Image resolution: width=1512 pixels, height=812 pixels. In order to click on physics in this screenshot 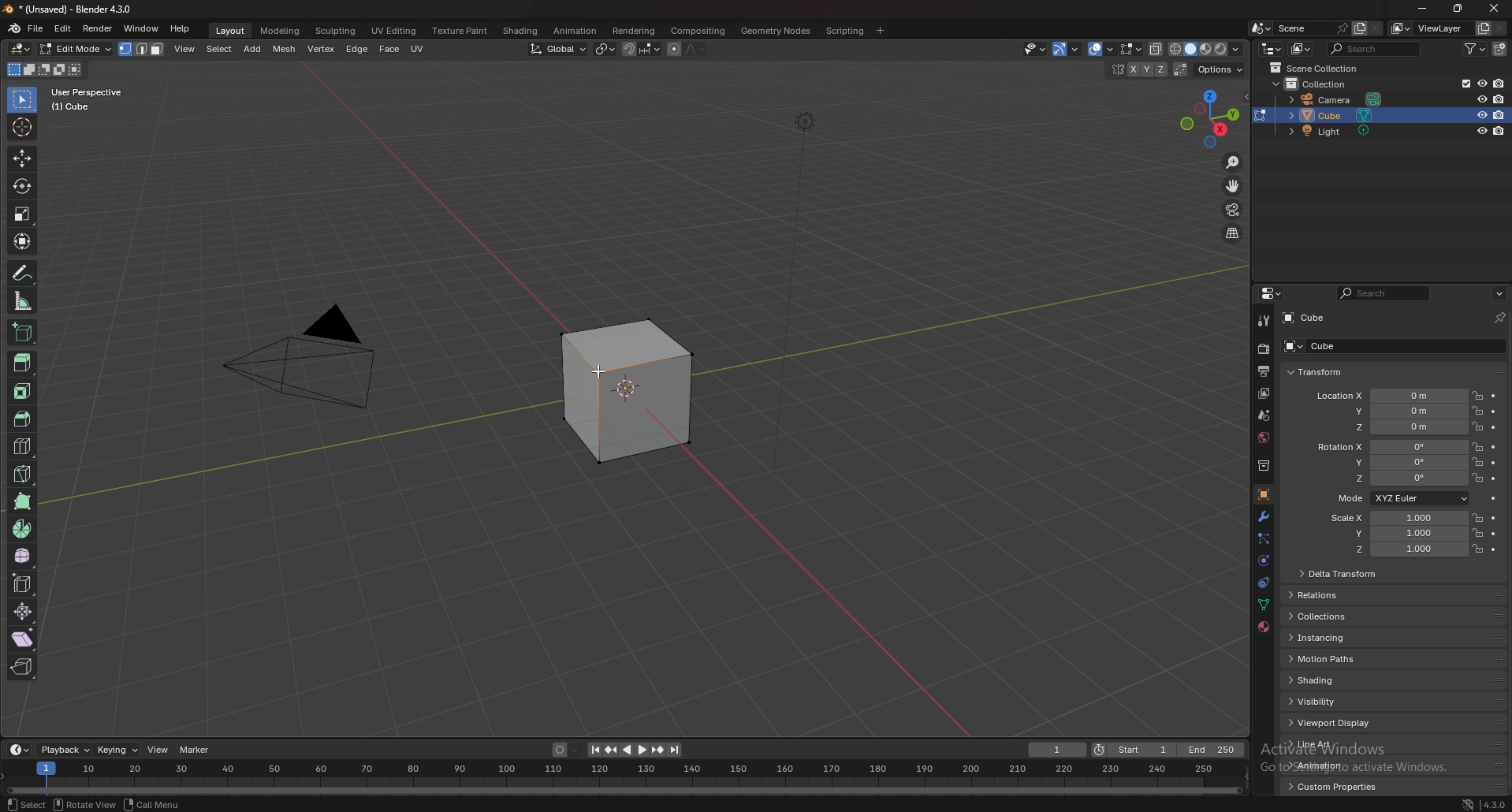, I will do `click(1264, 561)`.